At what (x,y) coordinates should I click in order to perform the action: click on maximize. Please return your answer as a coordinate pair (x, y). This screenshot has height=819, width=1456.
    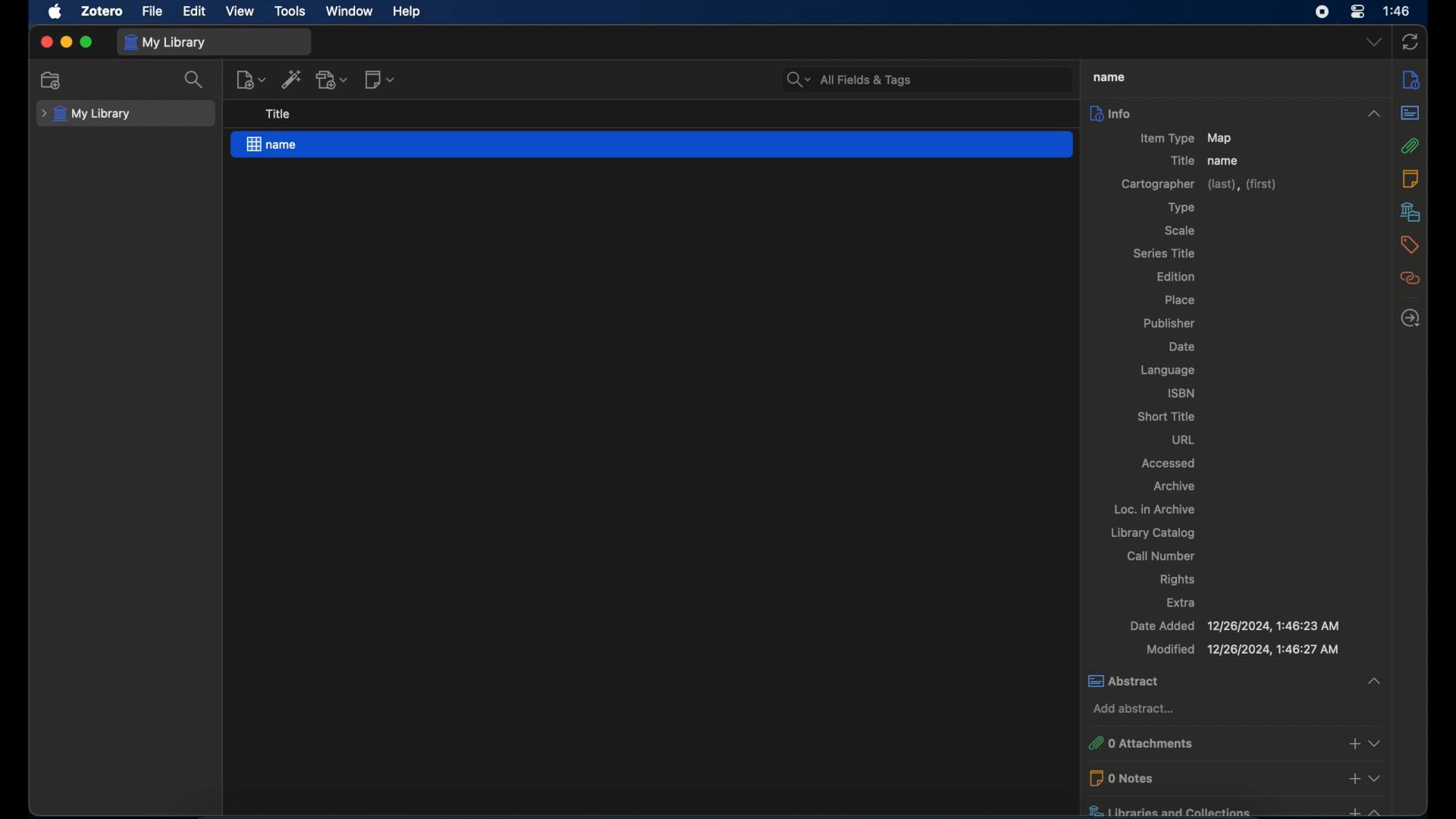
    Looking at the image, I should click on (87, 42).